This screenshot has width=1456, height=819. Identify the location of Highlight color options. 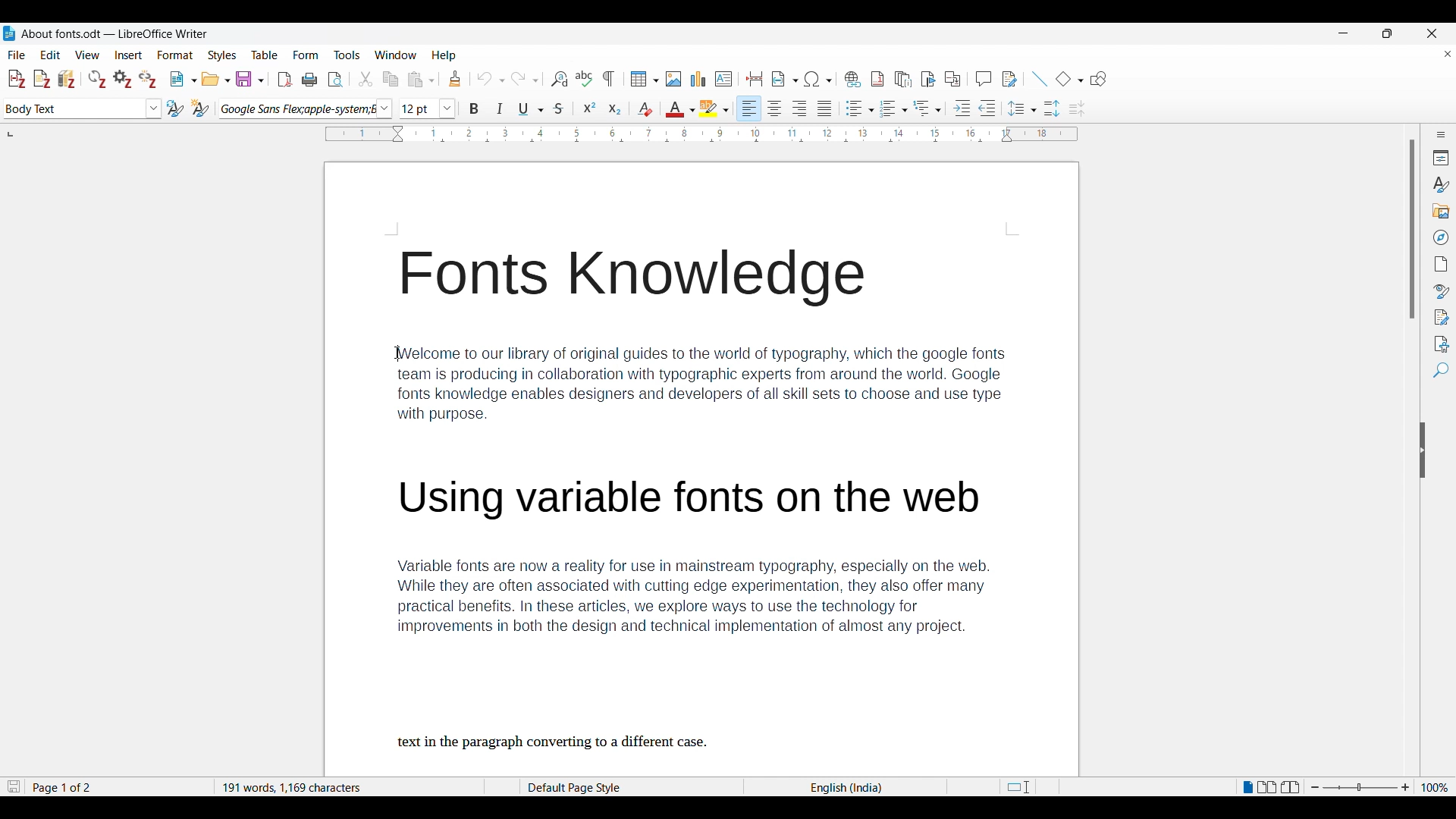
(714, 108).